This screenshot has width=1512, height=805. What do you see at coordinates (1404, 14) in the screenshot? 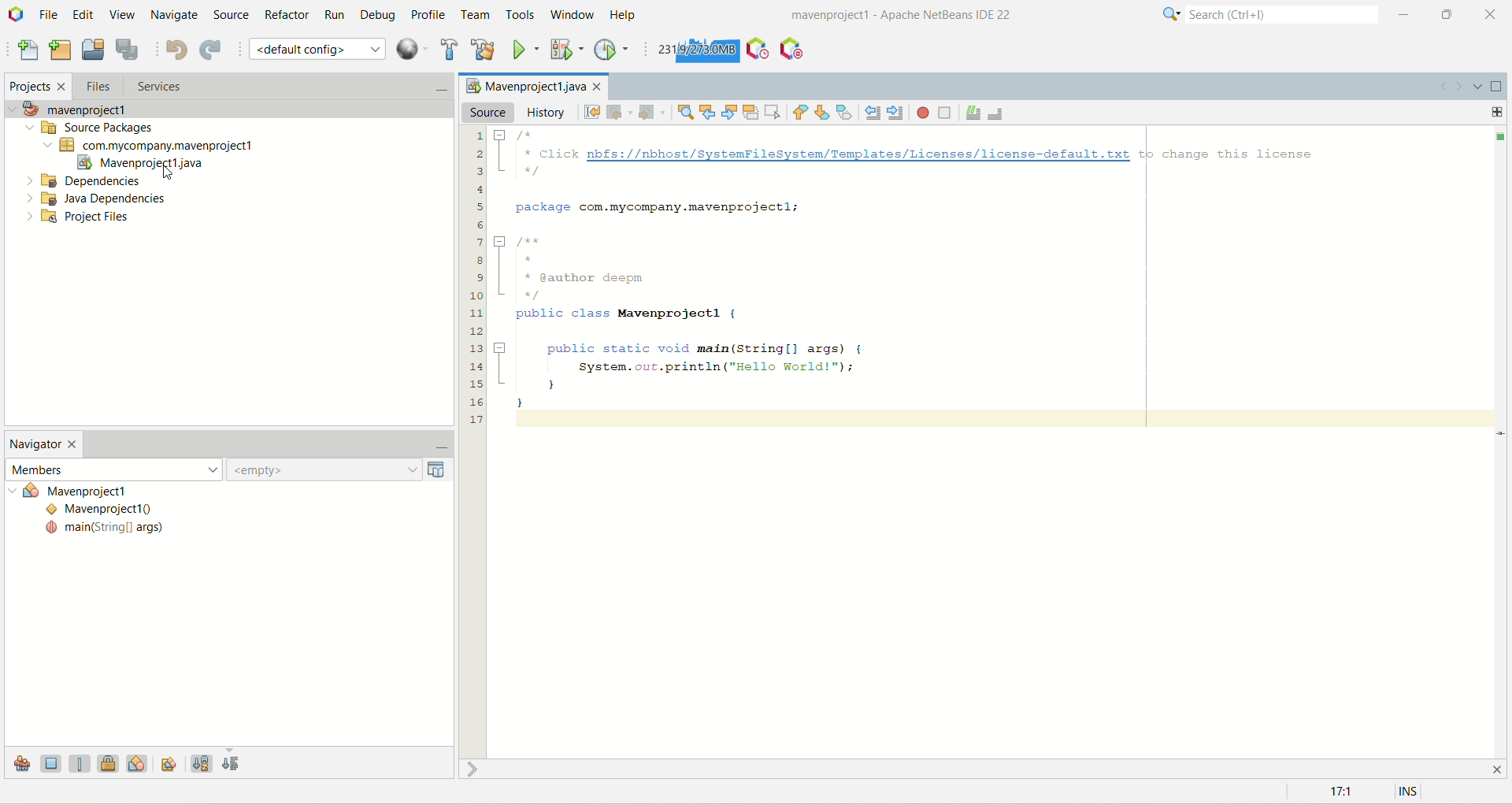
I see `minimize` at bounding box center [1404, 14].